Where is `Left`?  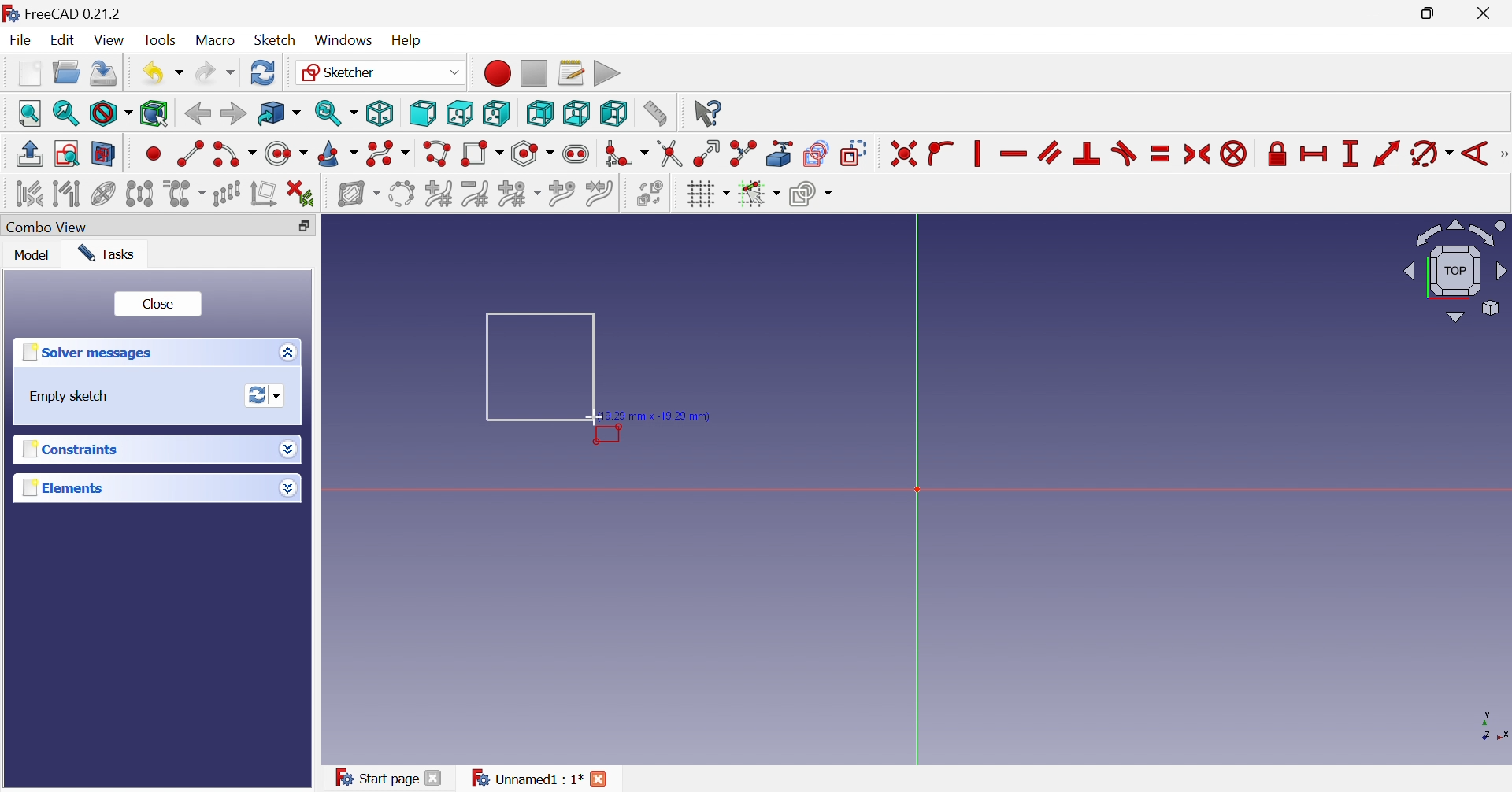 Left is located at coordinates (613, 113).